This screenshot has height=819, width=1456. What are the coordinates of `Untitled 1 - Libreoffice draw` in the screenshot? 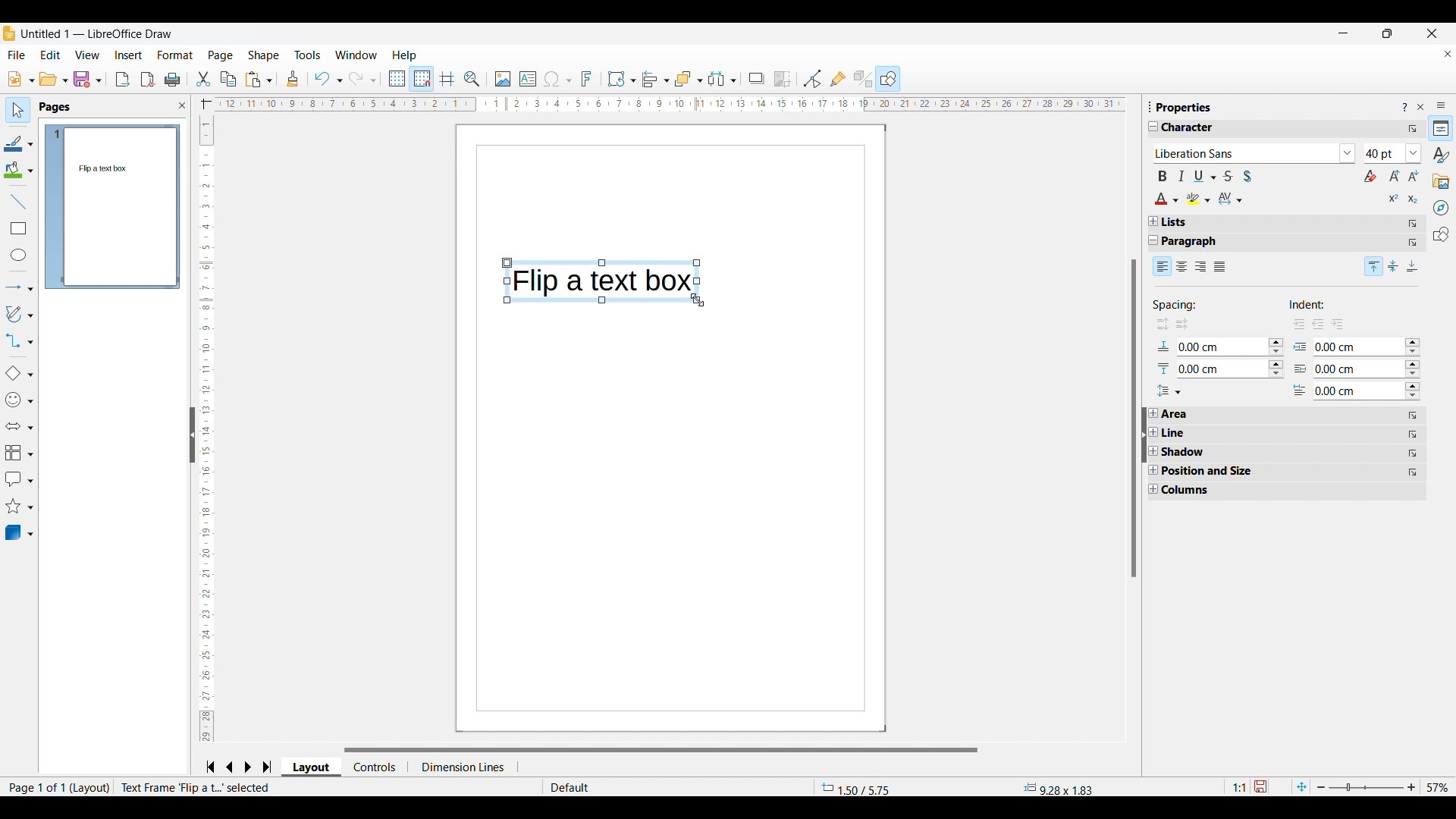 It's located at (96, 33).